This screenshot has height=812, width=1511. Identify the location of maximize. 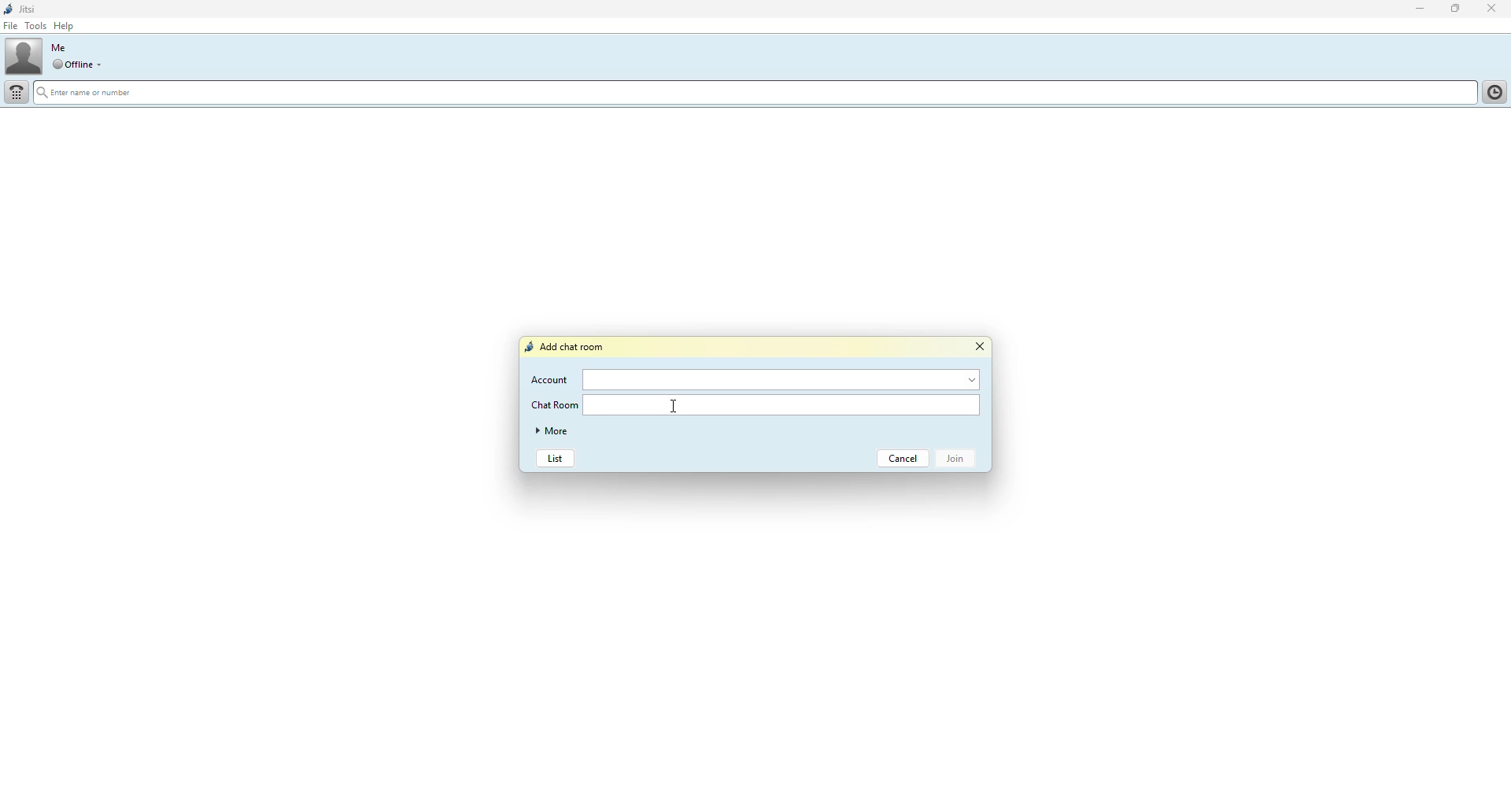
(1454, 9).